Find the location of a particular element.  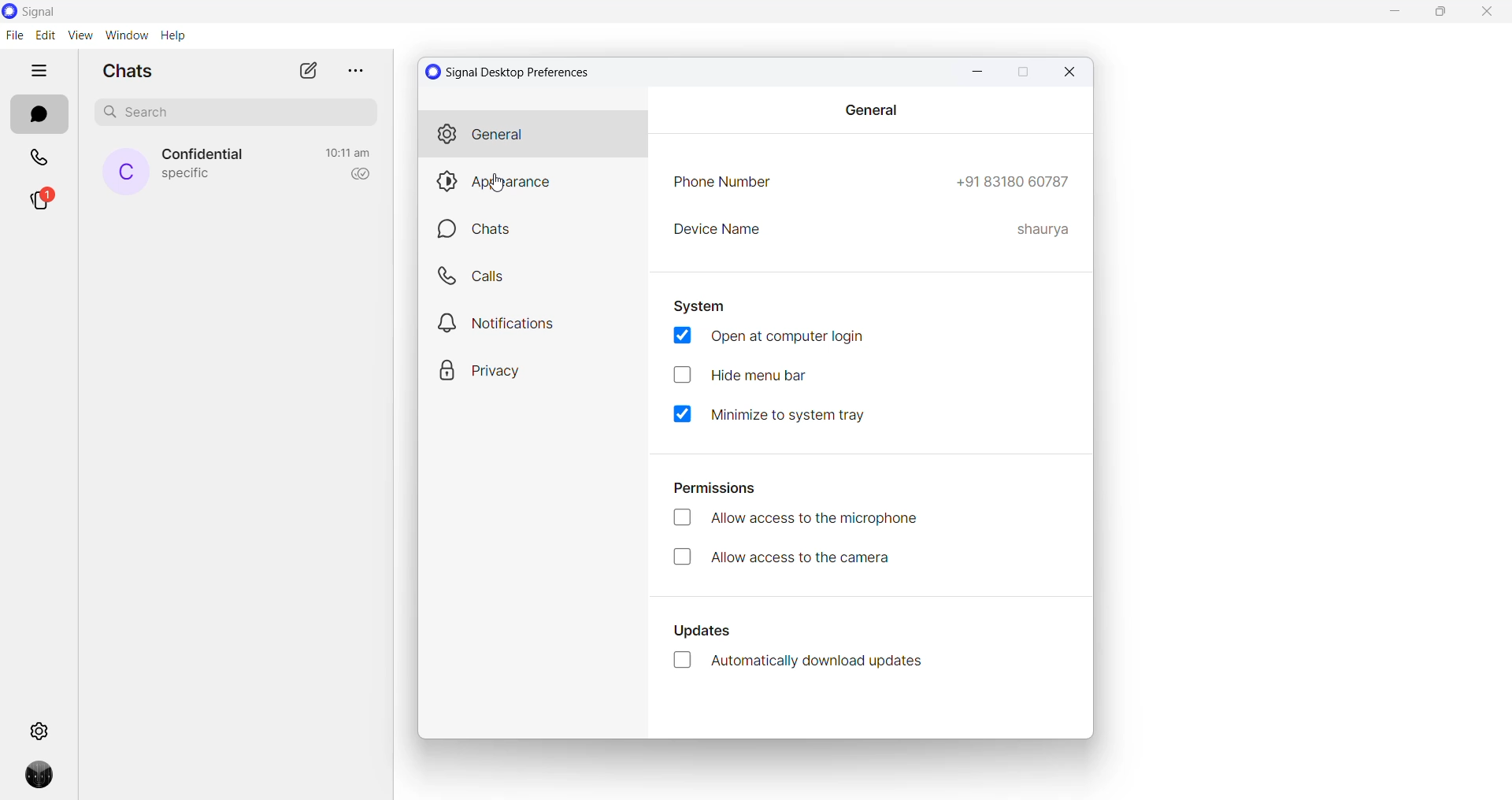

chats is located at coordinates (39, 115).